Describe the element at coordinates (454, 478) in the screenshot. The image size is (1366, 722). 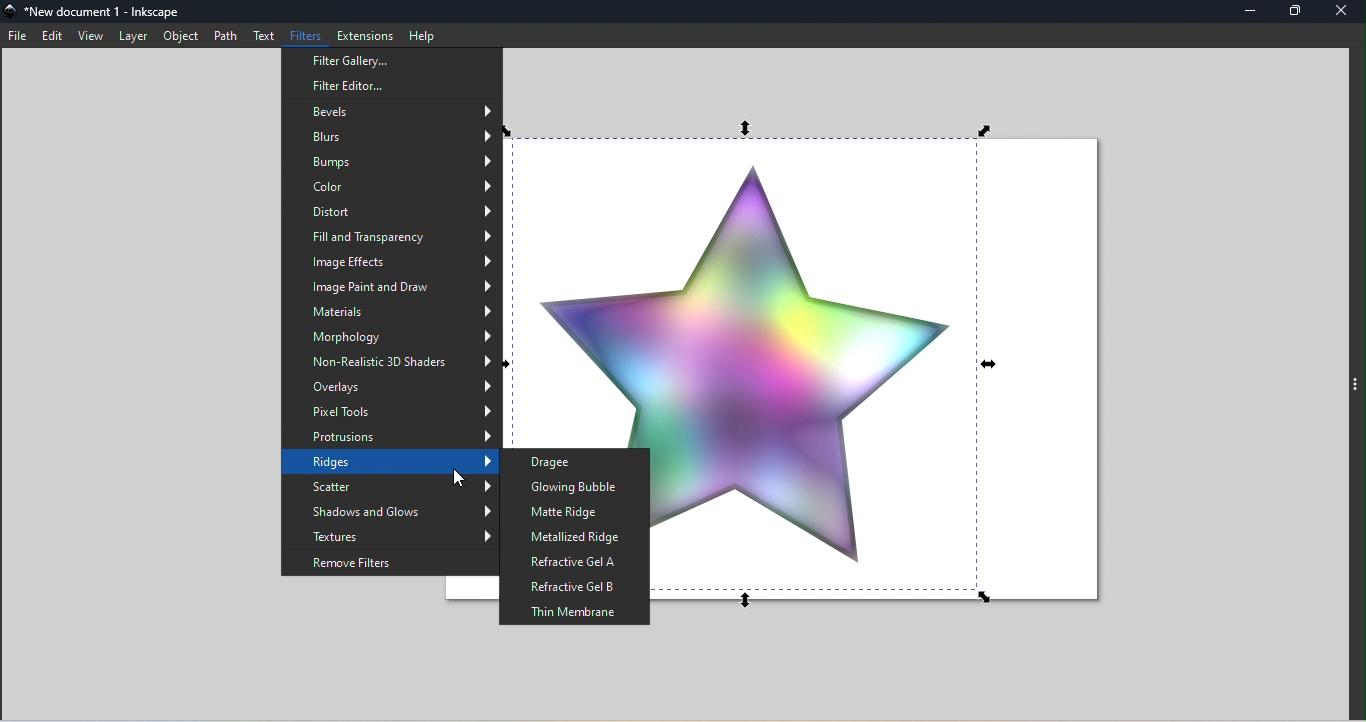
I see `cursor` at that location.